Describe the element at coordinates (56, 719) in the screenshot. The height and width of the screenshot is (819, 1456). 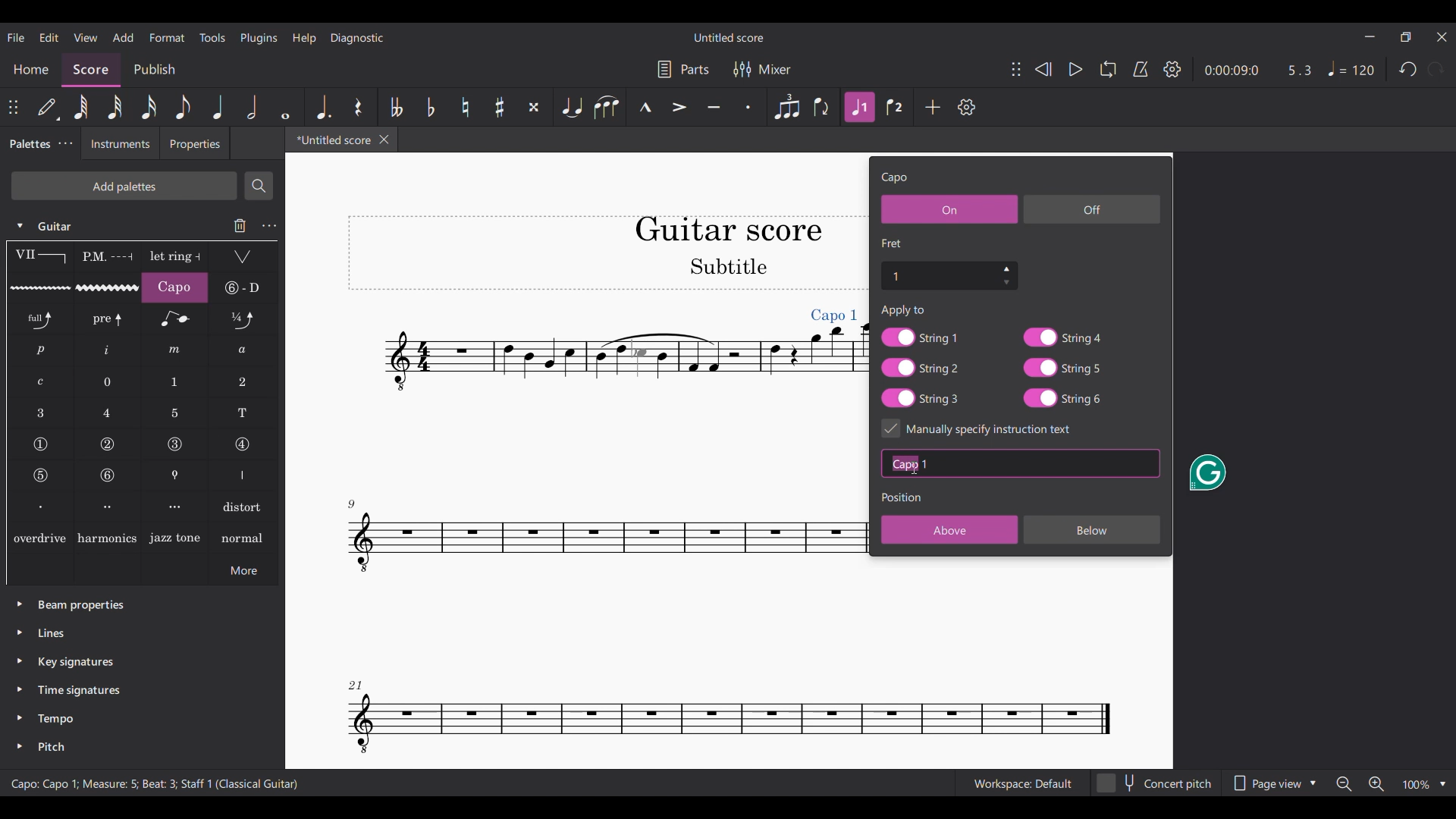
I see `Tempo` at that location.